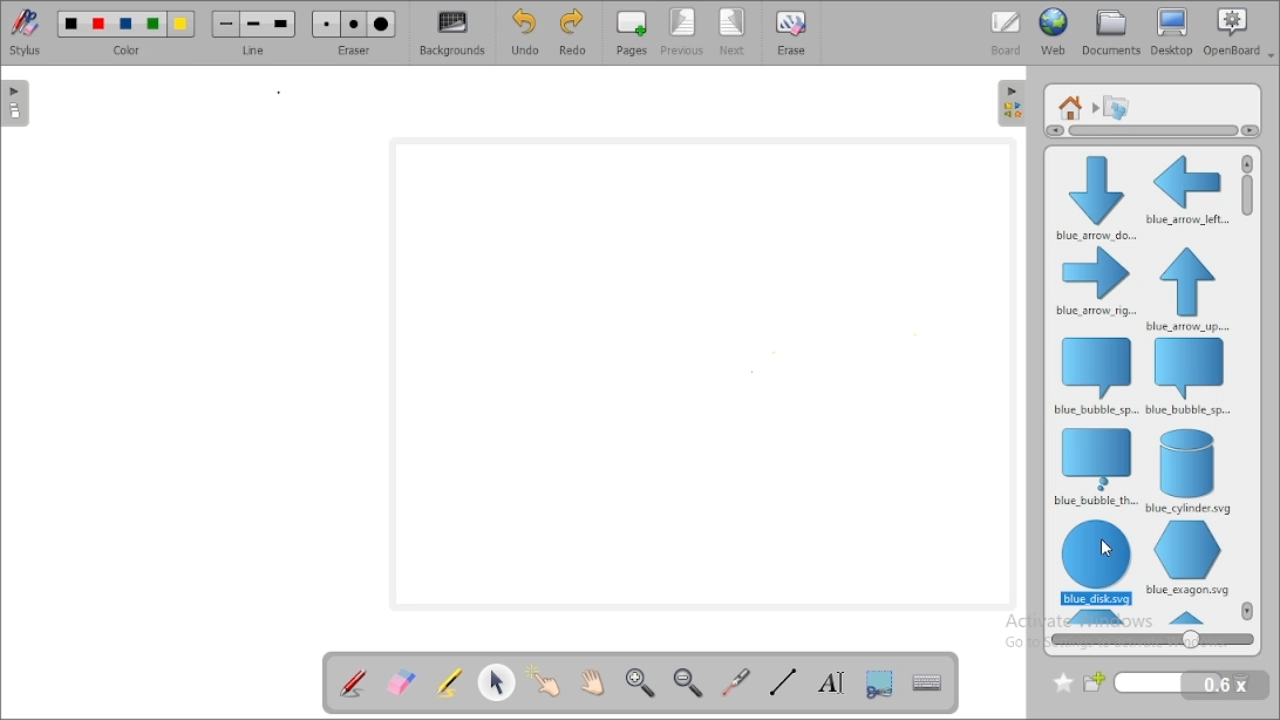 The image size is (1280, 720). What do you see at coordinates (880, 682) in the screenshot?
I see `capture part of the screen` at bounding box center [880, 682].